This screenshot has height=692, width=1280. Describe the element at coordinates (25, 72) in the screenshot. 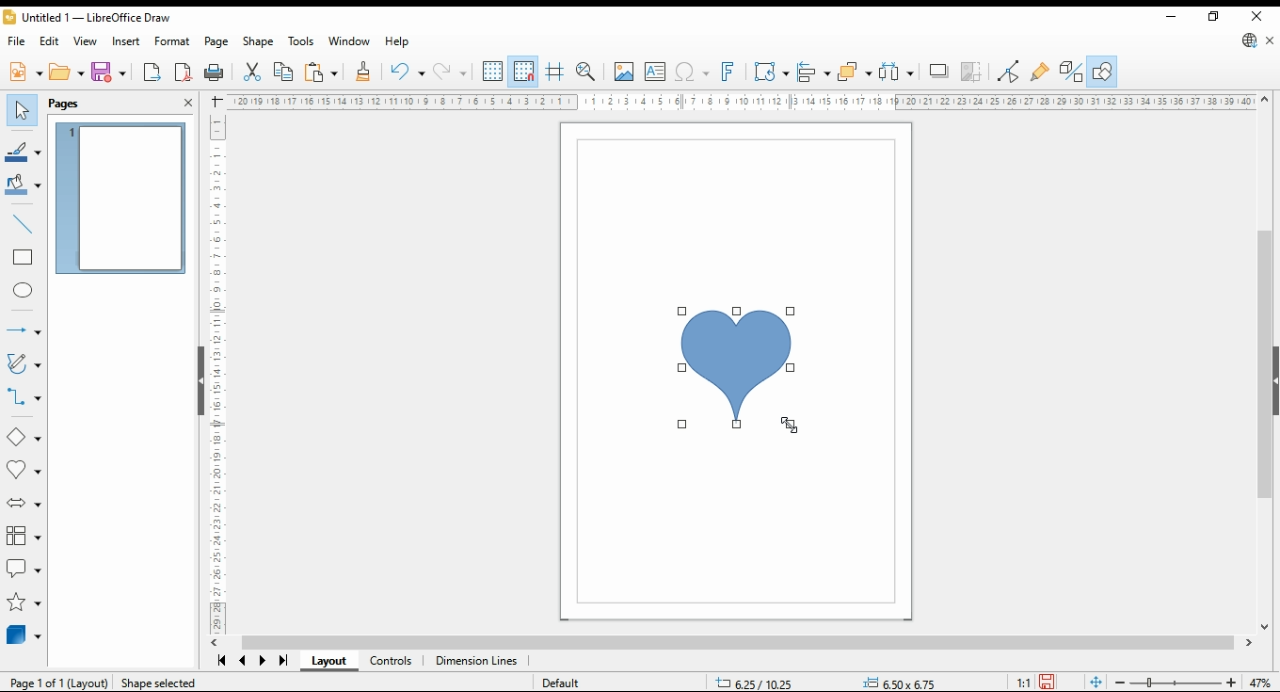

I see `new` at that location.